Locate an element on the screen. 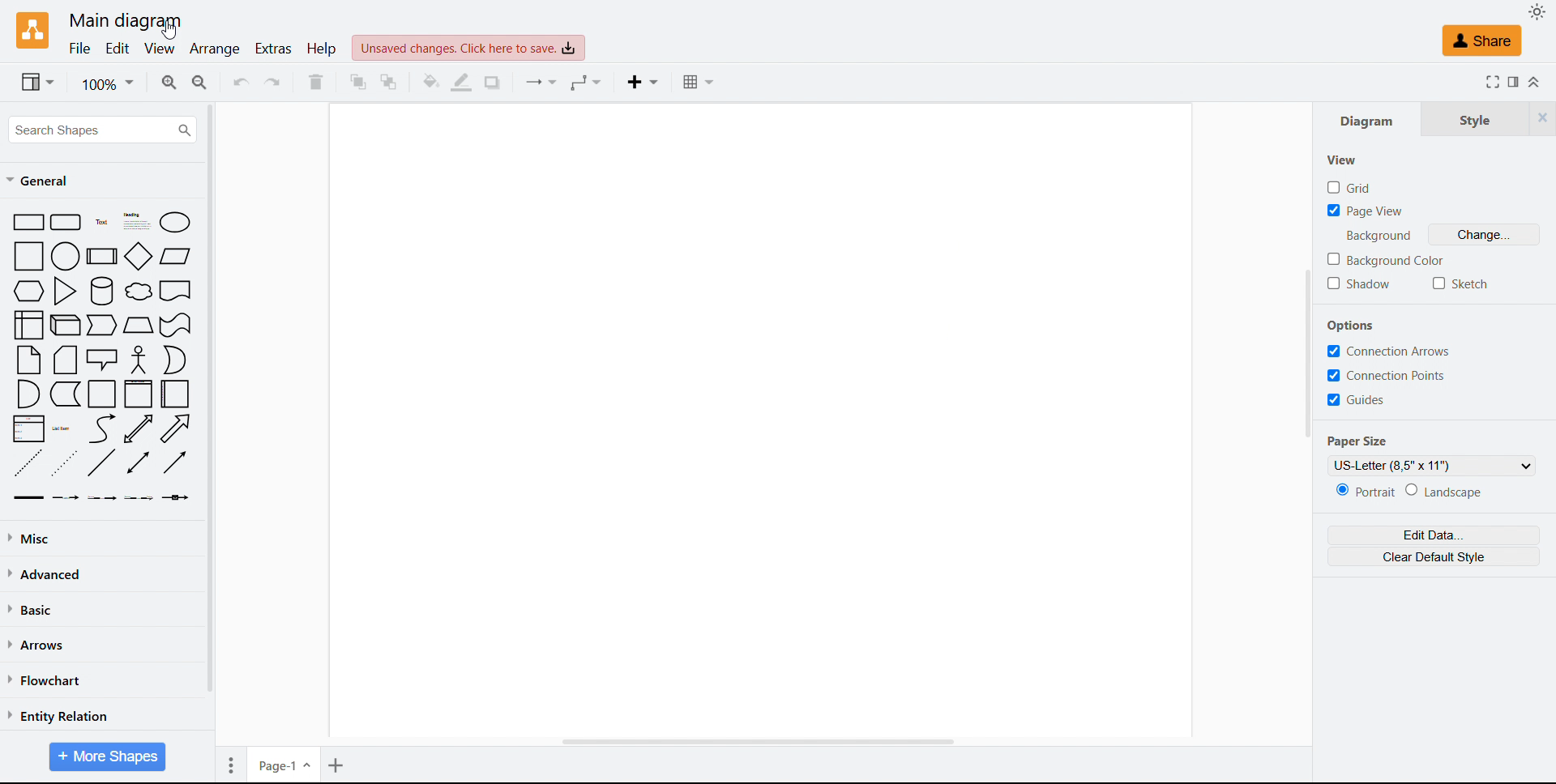  Search shapes  is located at coordinates (104, 129).